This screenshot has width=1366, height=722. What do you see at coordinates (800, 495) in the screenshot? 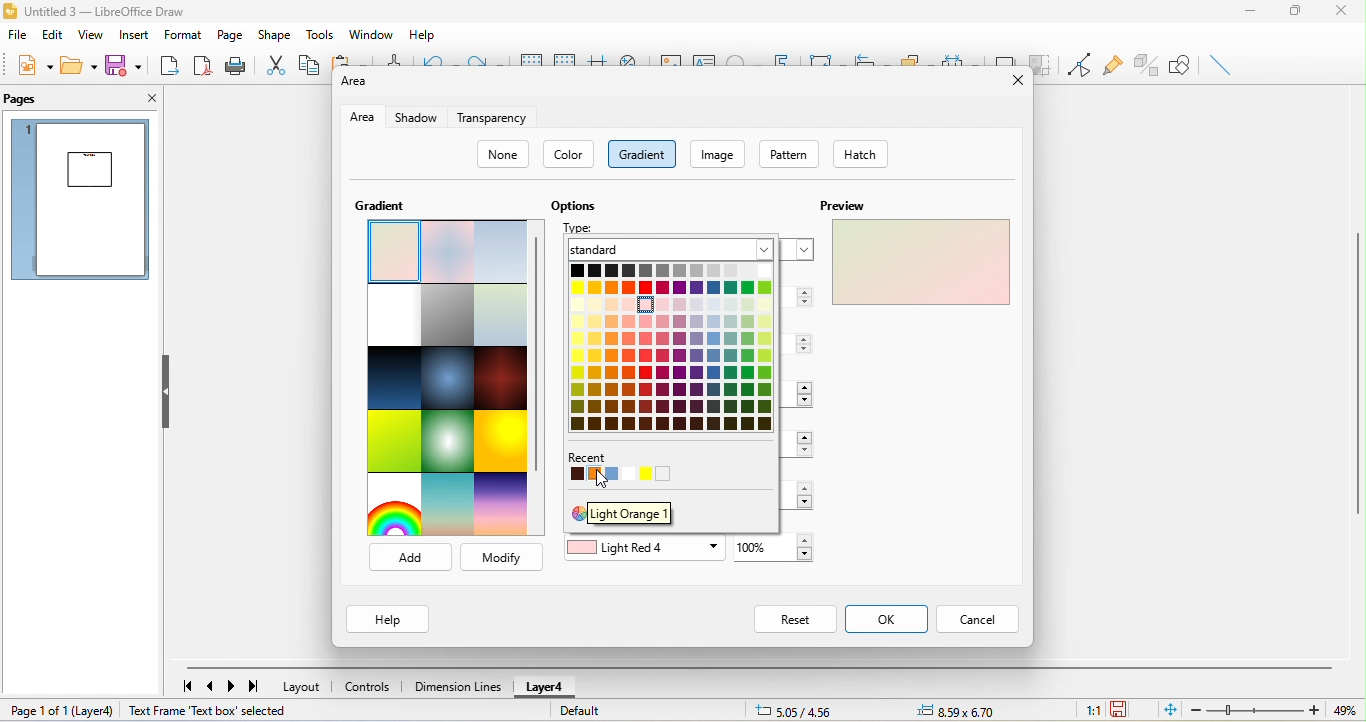
I see `100%` at bounding box center [800, 495].